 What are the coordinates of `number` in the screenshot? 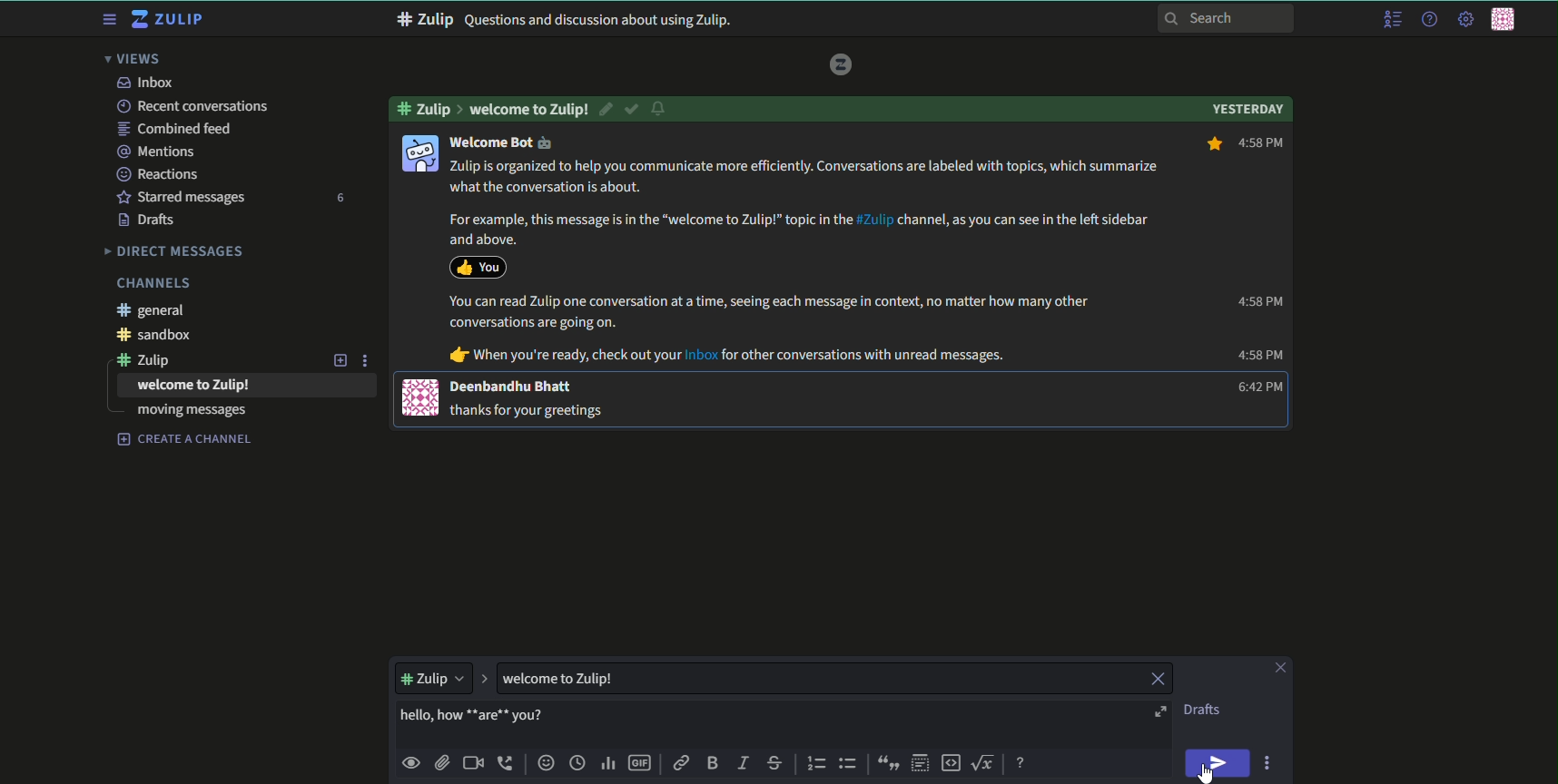 It's located at (339, 198).